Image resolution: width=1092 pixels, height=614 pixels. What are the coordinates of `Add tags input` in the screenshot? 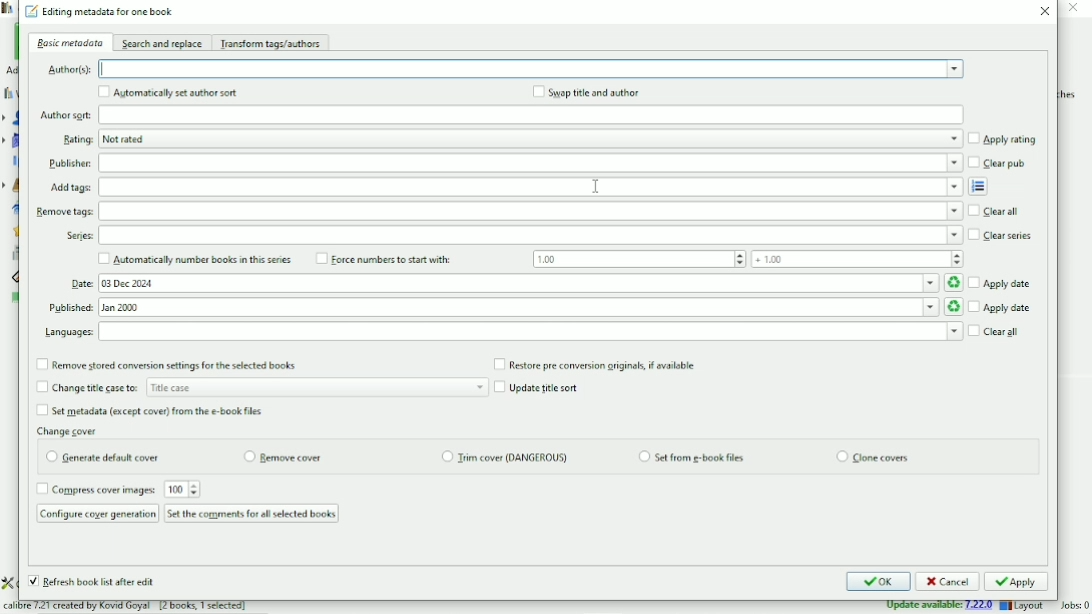 It's located at (528, 187).